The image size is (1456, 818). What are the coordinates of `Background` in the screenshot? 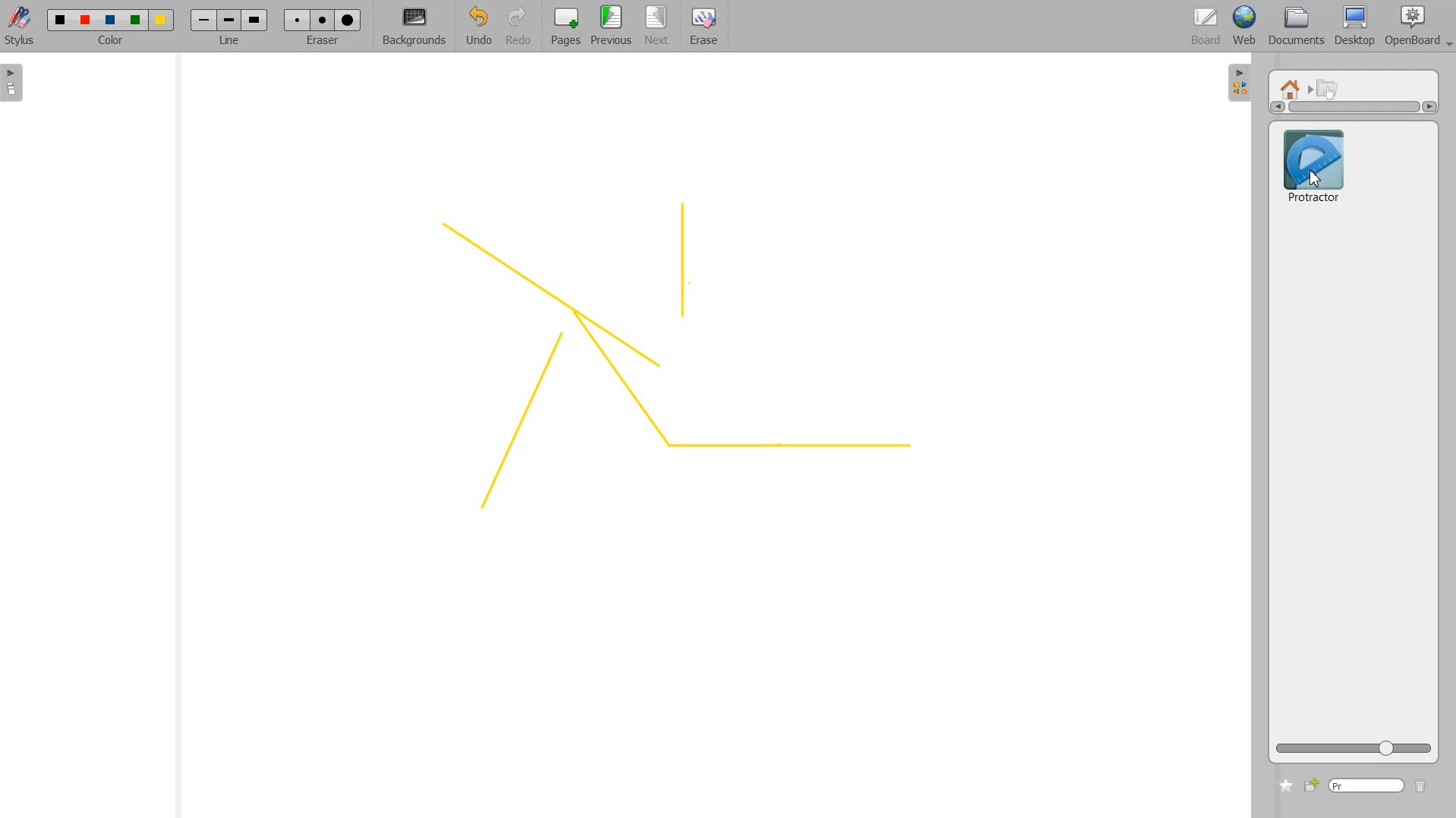 It's located at (414, 27).